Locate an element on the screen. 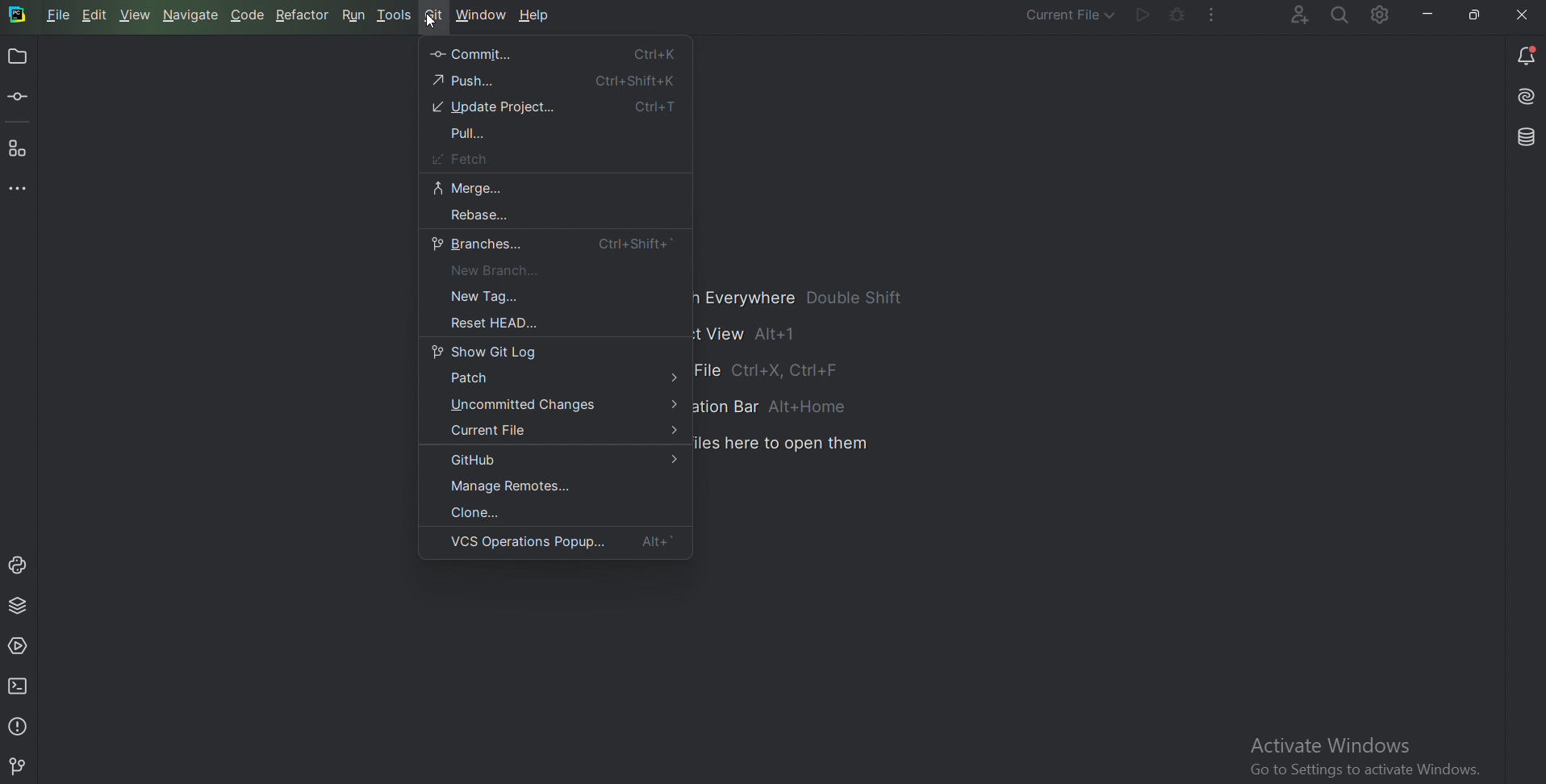 This screenshot has width=1546, height=784. Reset HEAD is located at coordinates (487, 324).